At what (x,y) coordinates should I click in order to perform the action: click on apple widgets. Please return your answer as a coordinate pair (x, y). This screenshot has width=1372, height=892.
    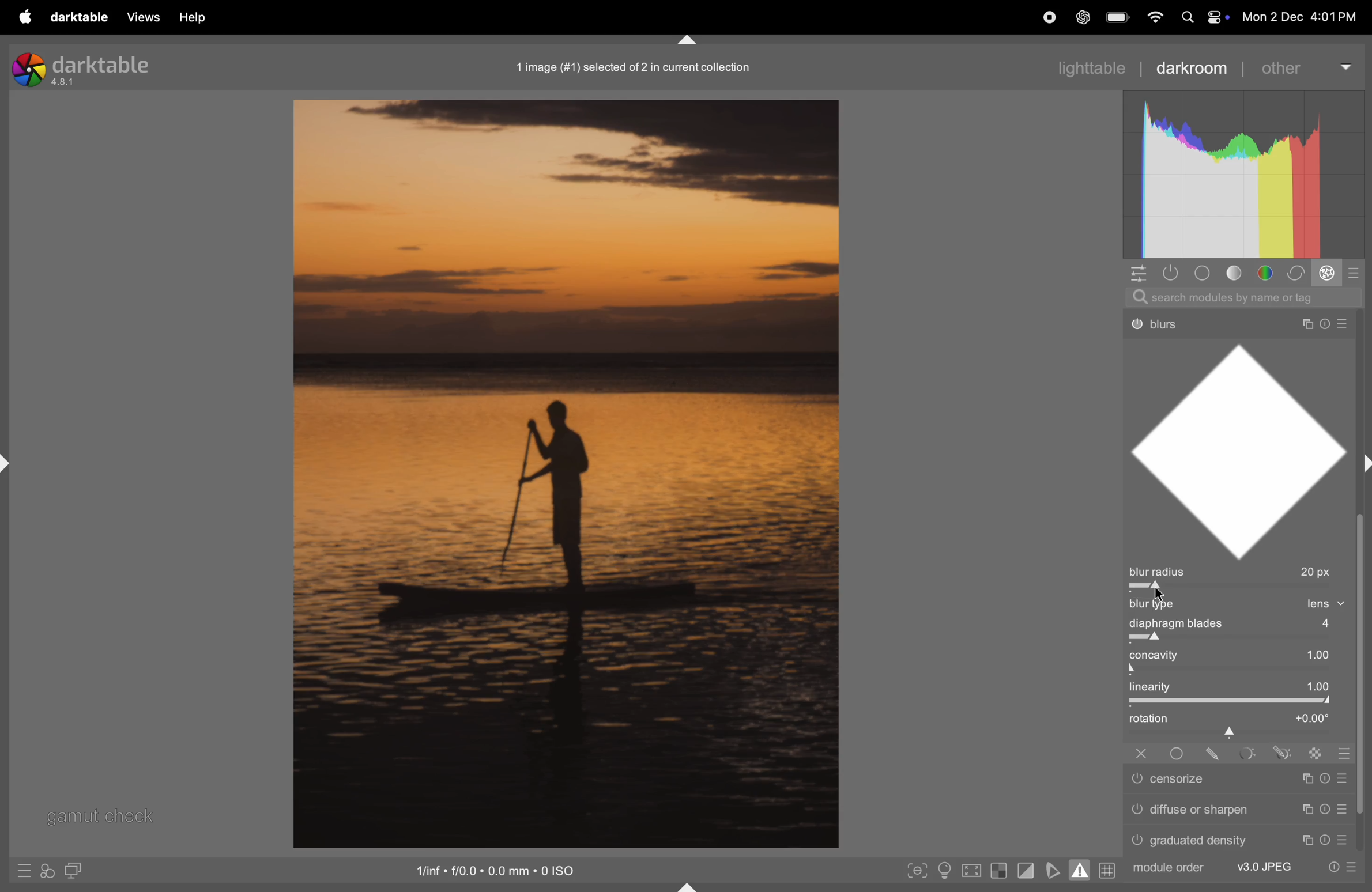
    Looking at the image, I should click on (1201, 17).